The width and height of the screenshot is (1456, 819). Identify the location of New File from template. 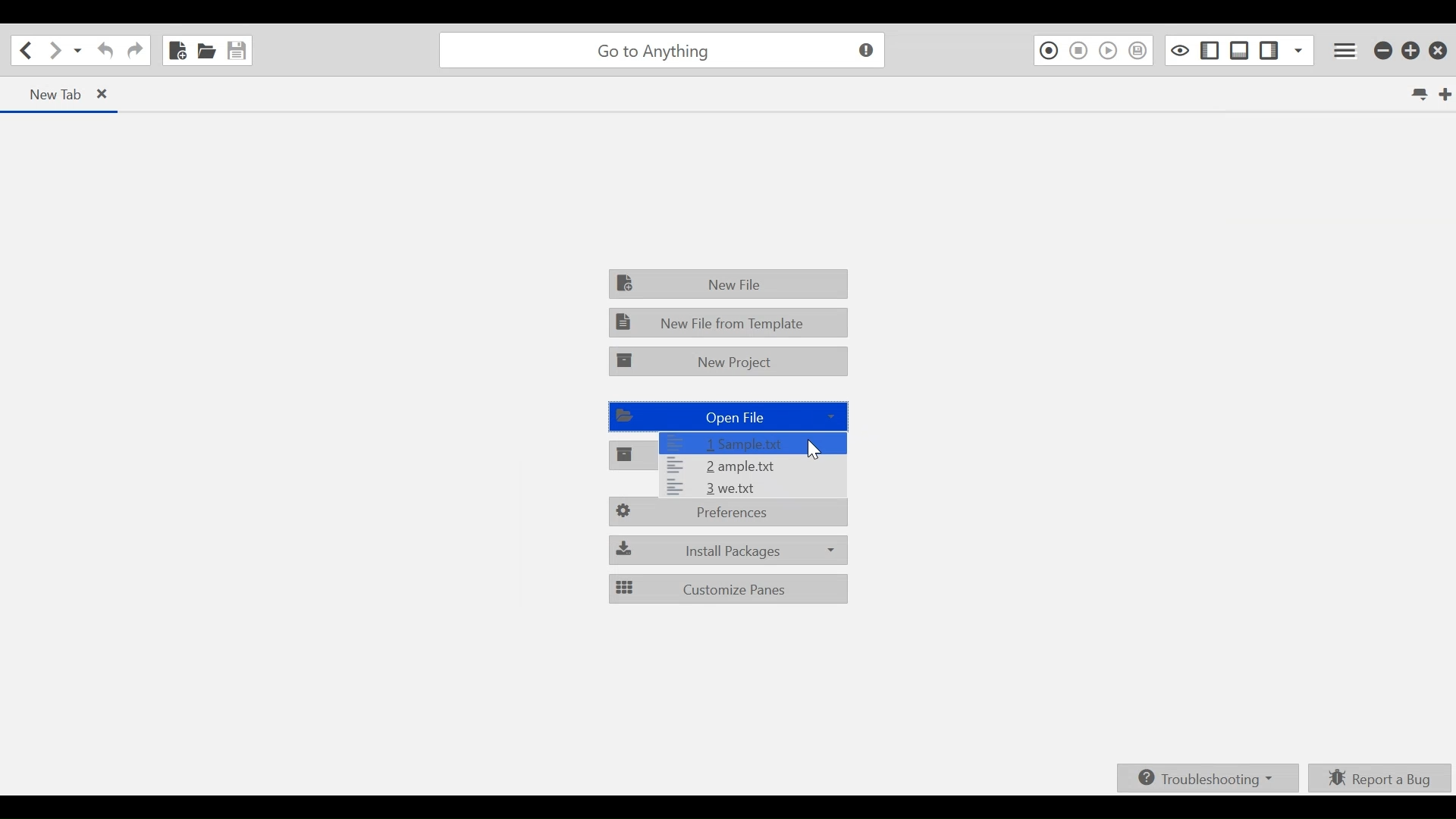
(730, 320).